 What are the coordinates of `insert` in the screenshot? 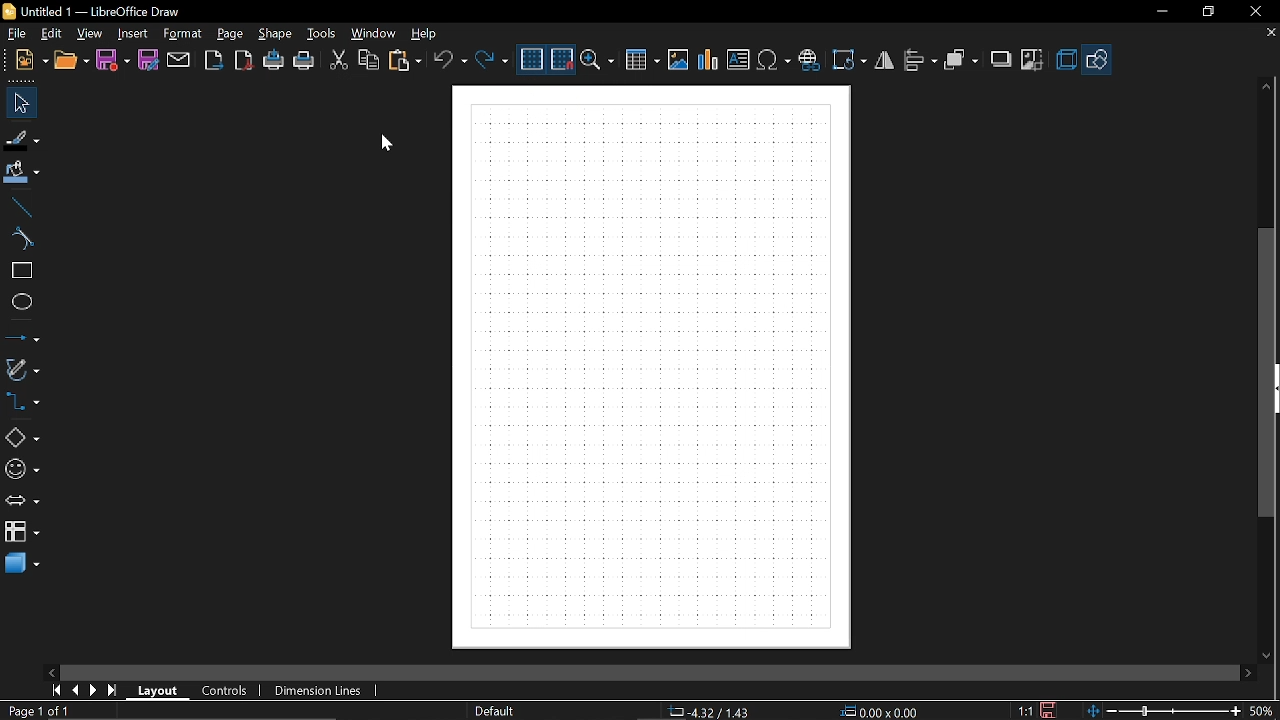 It's located at (132, 35).